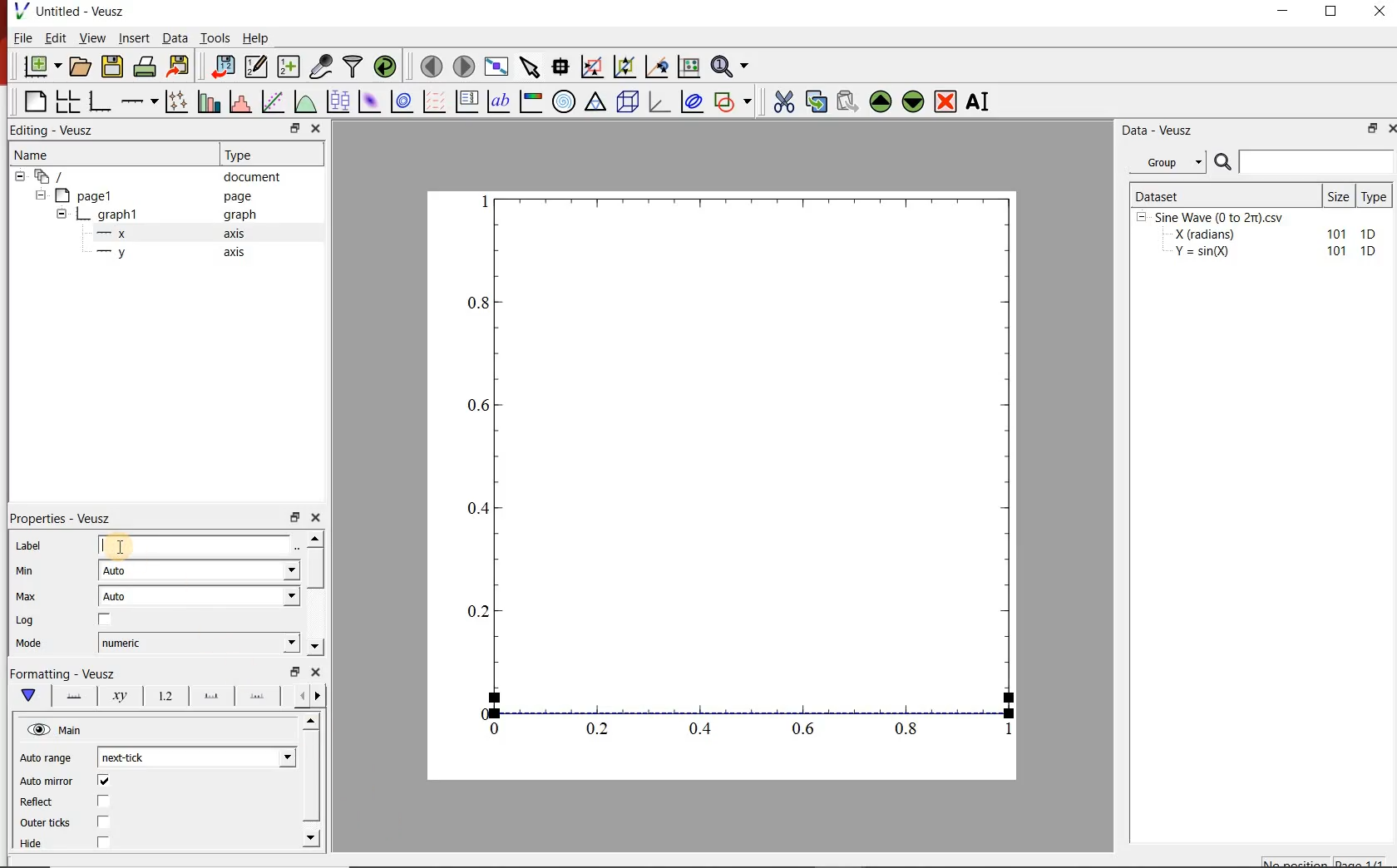 Image resolution: width=1397 pixels, height=868 pixels. What do you see at coordinates (21, 10) in the screenshot?
I see `Logo` at bounding box center [21, 10].